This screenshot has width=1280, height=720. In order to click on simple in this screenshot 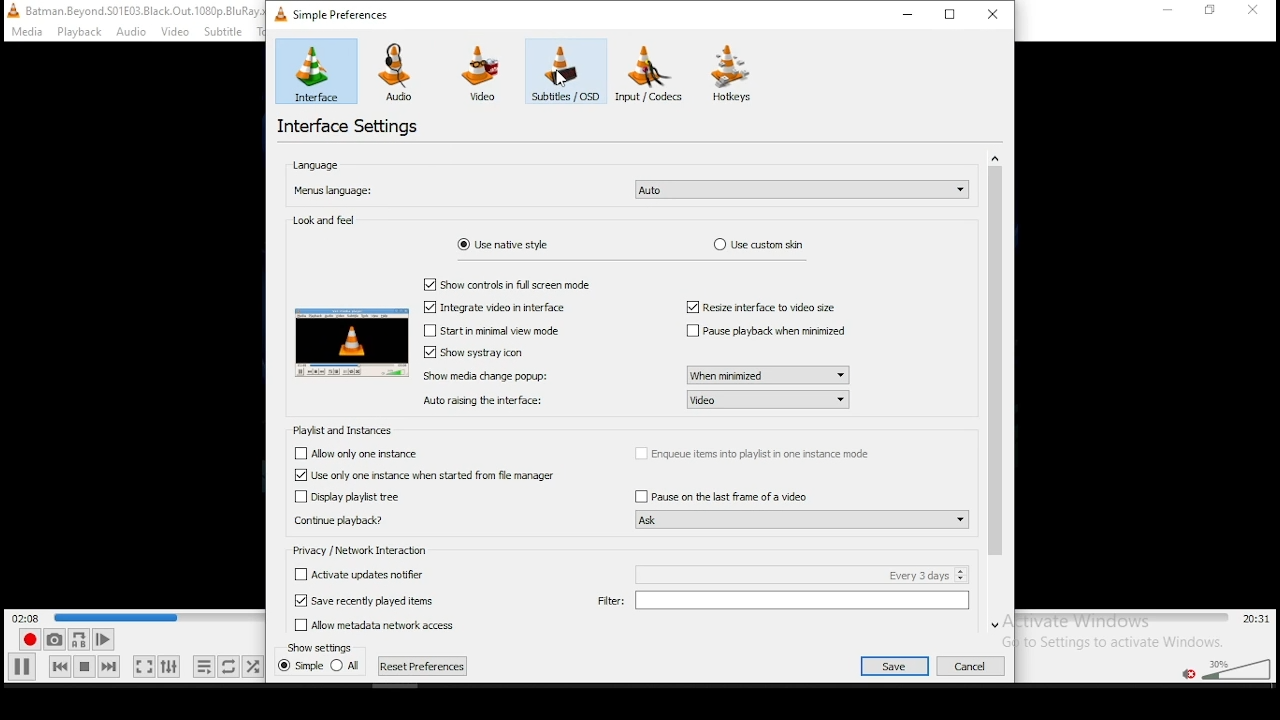, I will do `click(301, 667)`.